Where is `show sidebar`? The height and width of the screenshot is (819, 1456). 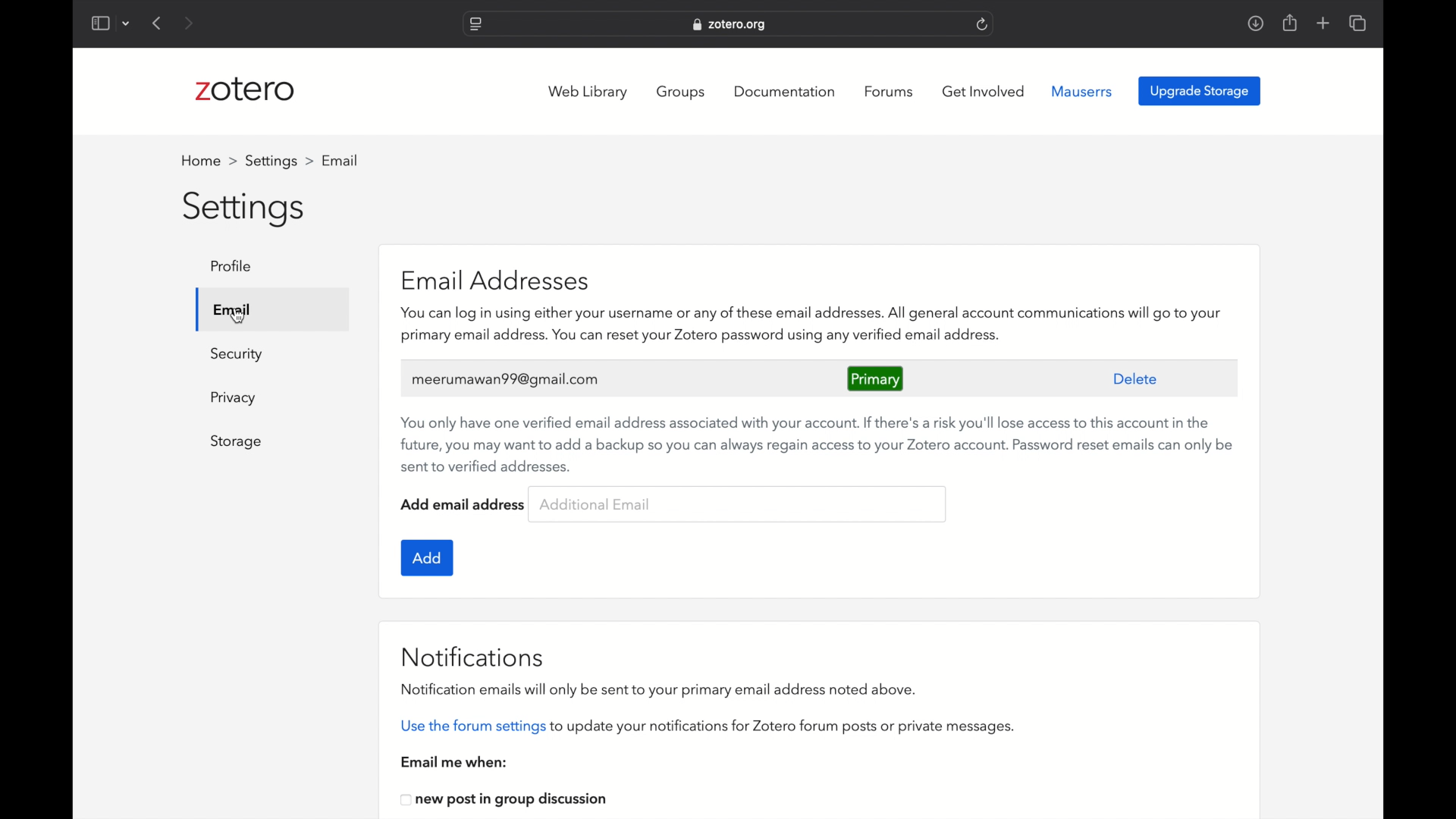
show sidebar is located at coordinates (99, 23).